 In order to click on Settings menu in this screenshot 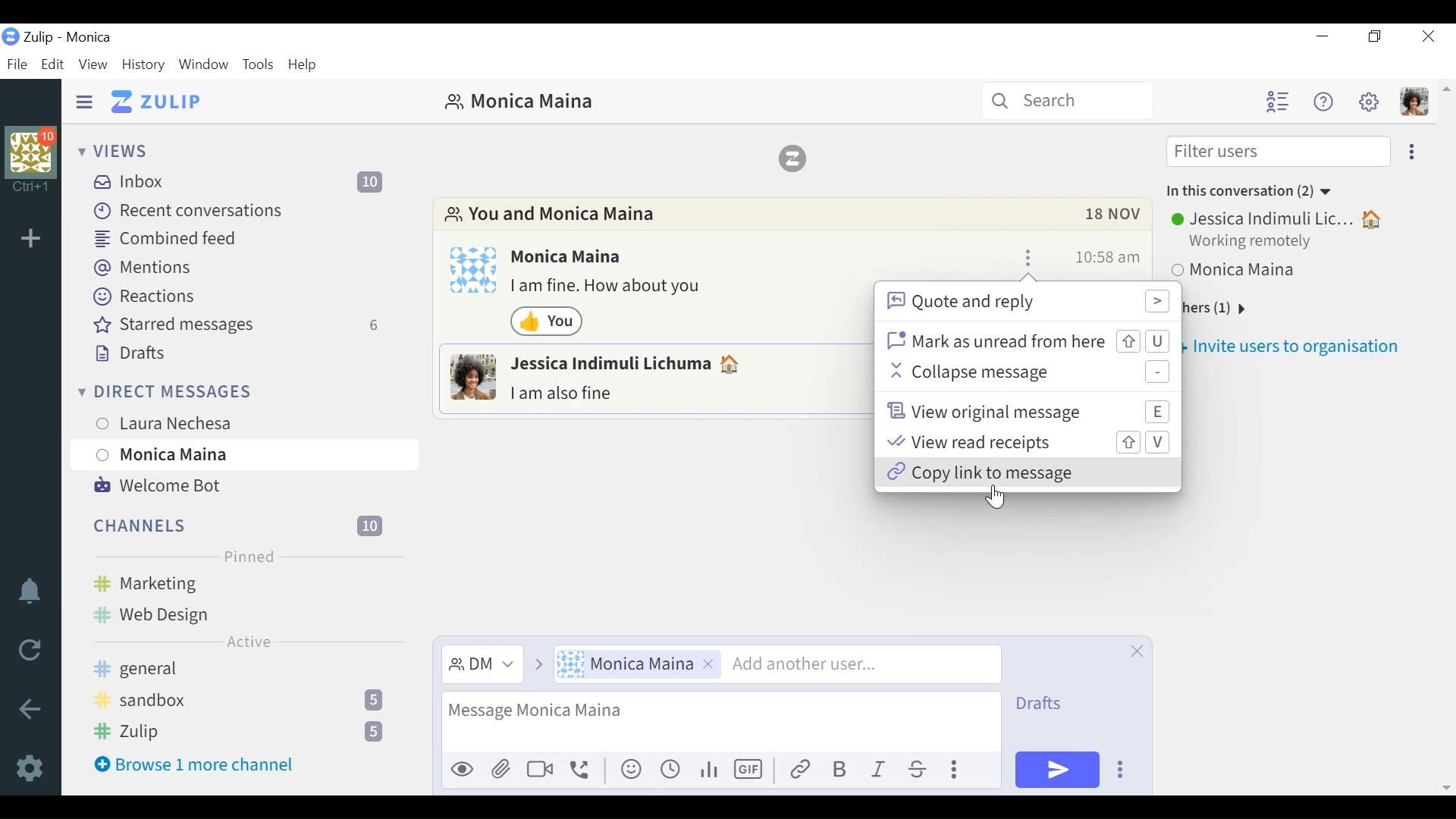, I will do `click(1369, 102)`.